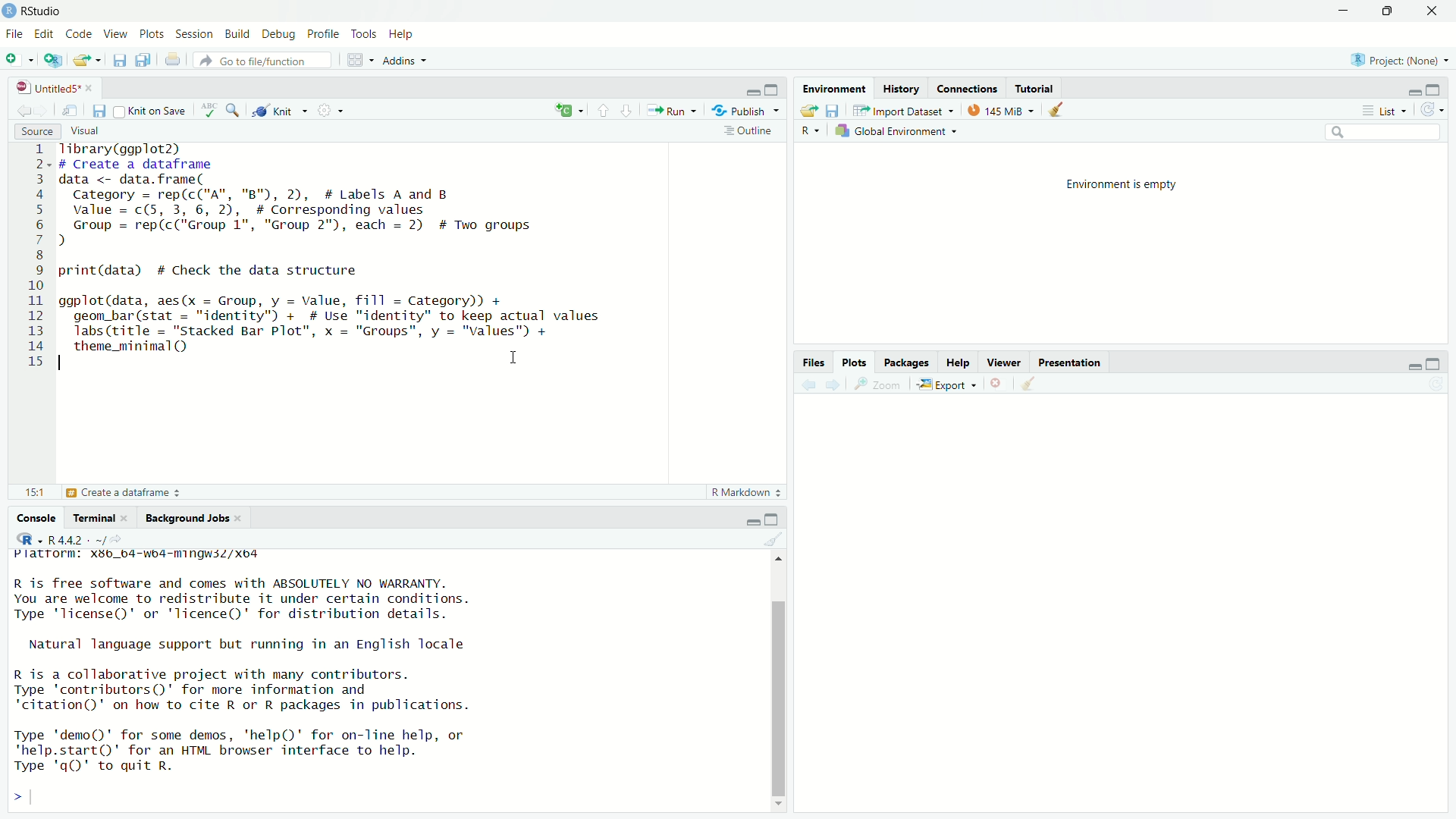 The image size is (1456, 819). What do you see at coordinates (773, 89) in the screenshot?
I see `Maximize` at bounding box center [773, 89].